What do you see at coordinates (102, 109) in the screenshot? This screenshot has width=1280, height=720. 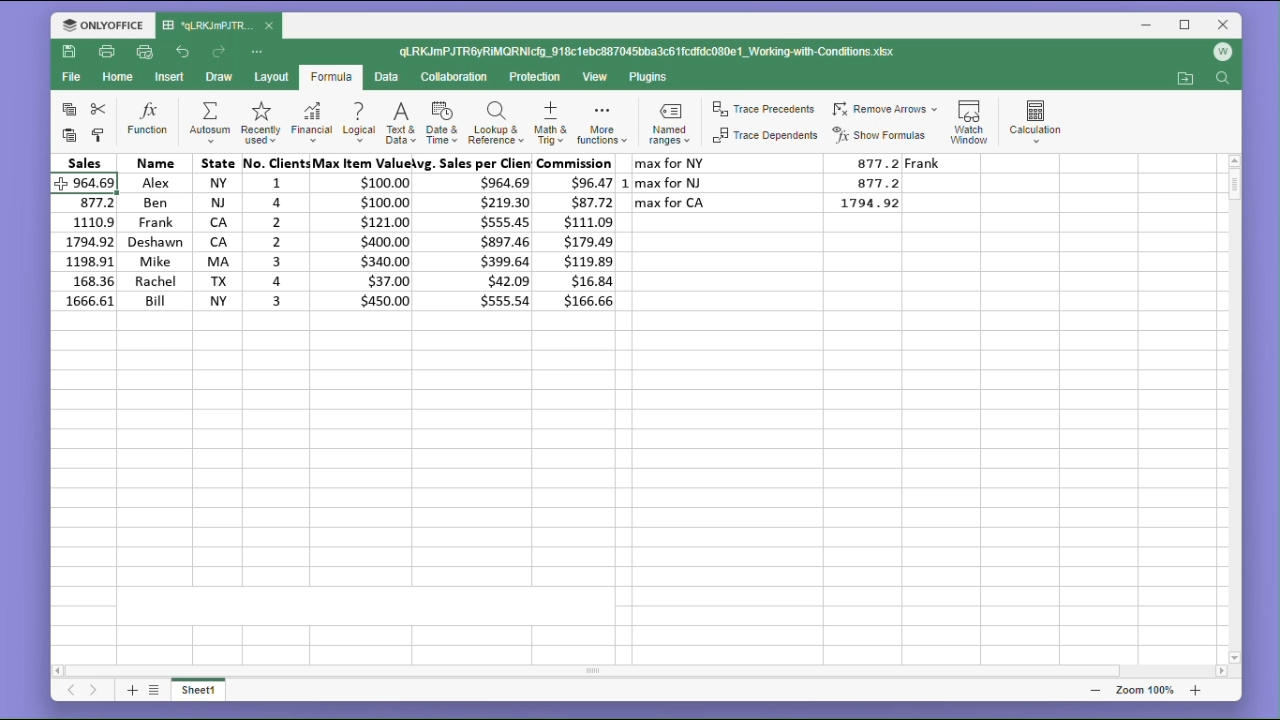 I see `cut` at bounding box center [102, 109].